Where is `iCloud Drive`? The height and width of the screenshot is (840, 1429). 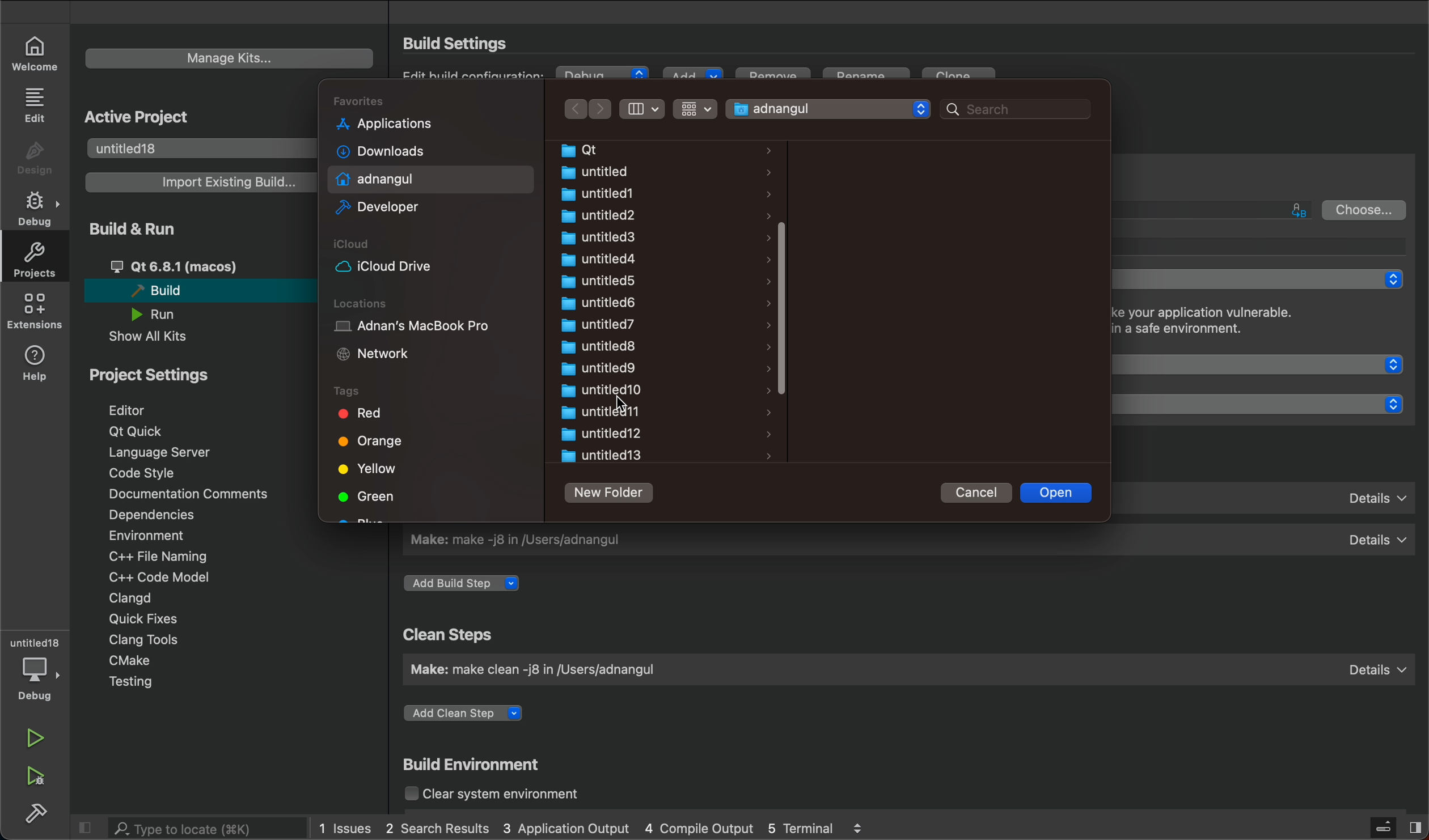
iCloud Drive is located at coordinates (380, 266).